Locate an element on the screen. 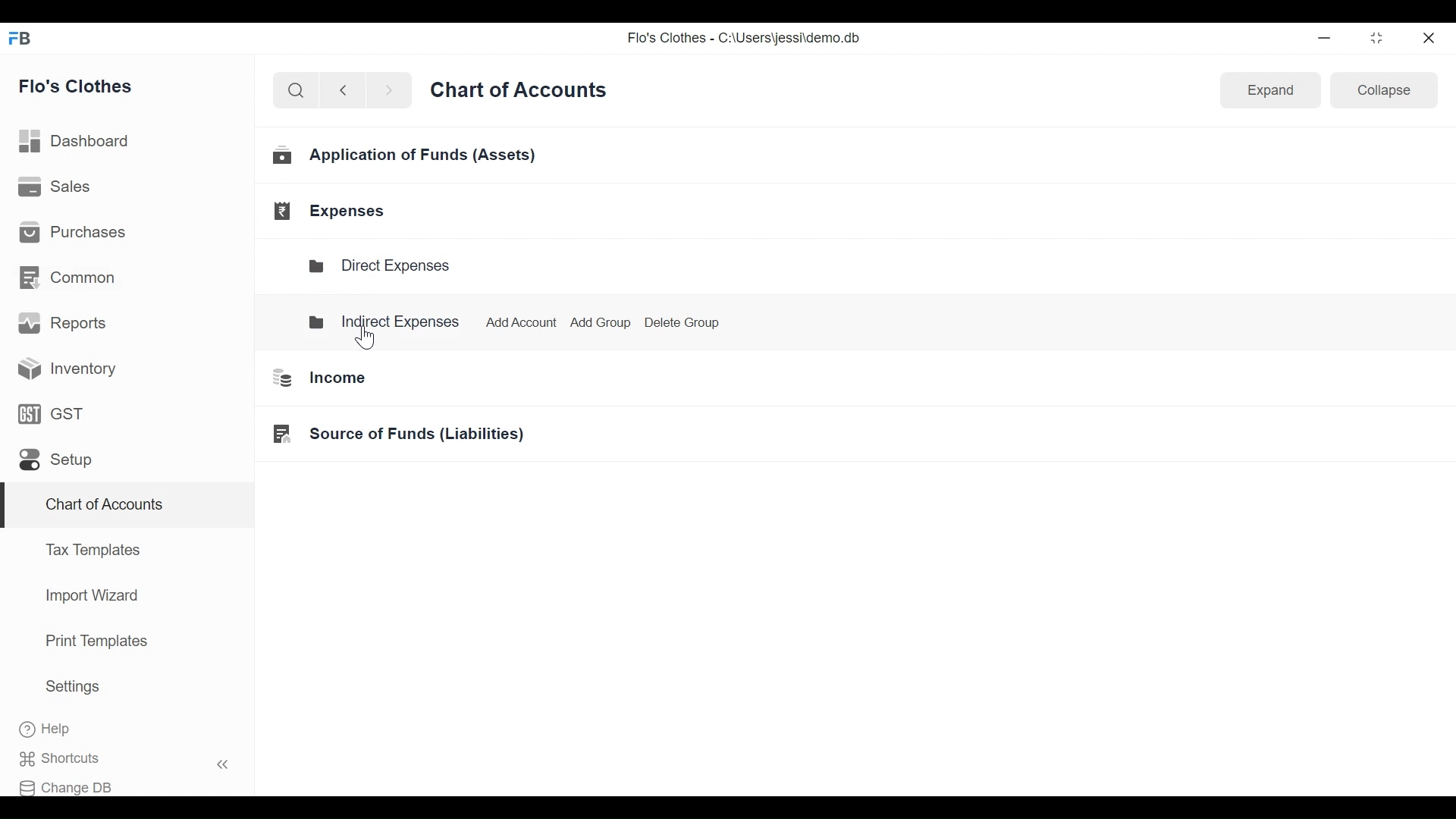 The width and height of the screenshot is (1456, 819). Help is located at coordinates (61, 730).